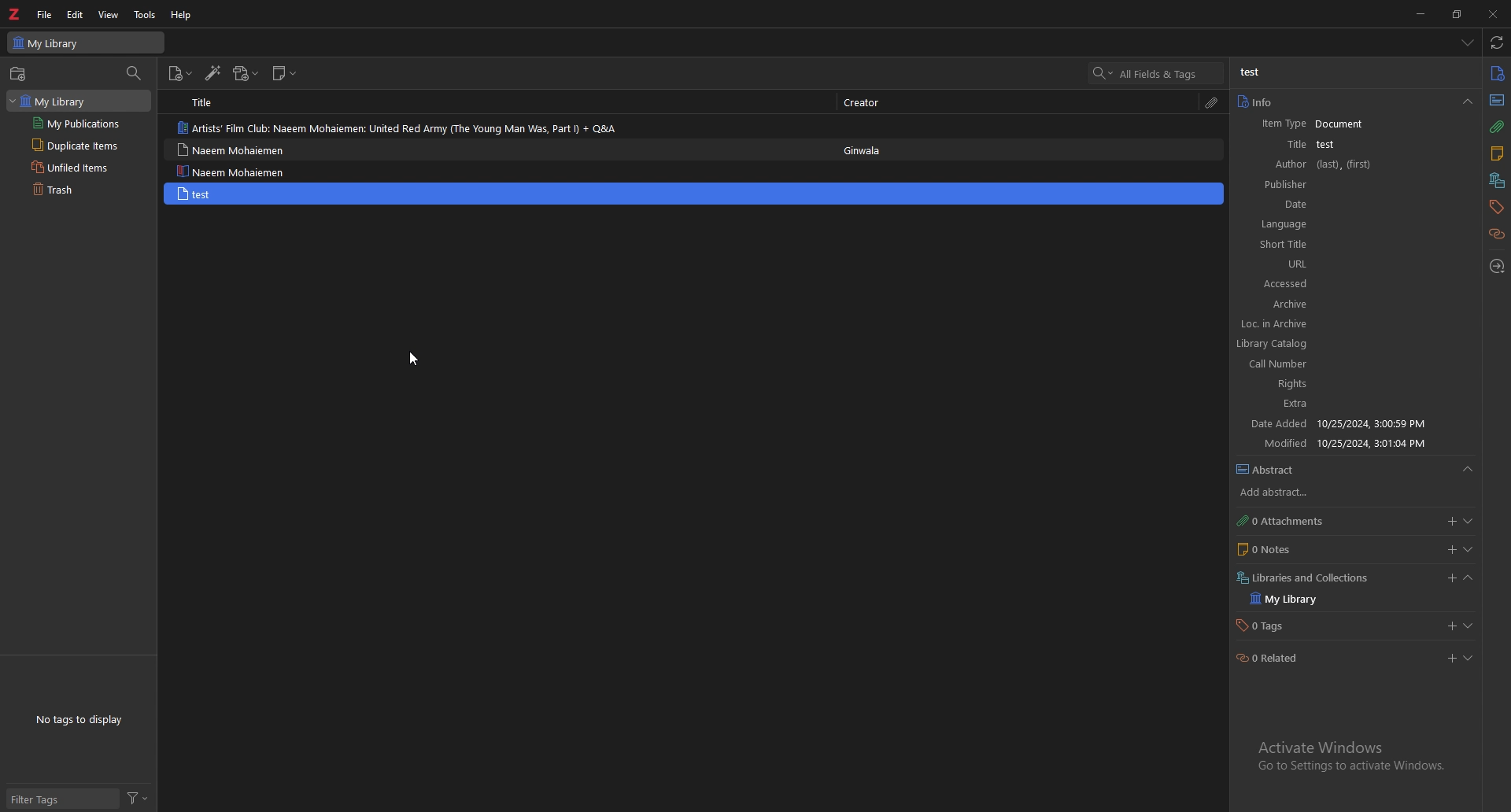 Image resolution: width=1511 pixels, height=812 pixels. I want to click on new collection, so click(20, 74).